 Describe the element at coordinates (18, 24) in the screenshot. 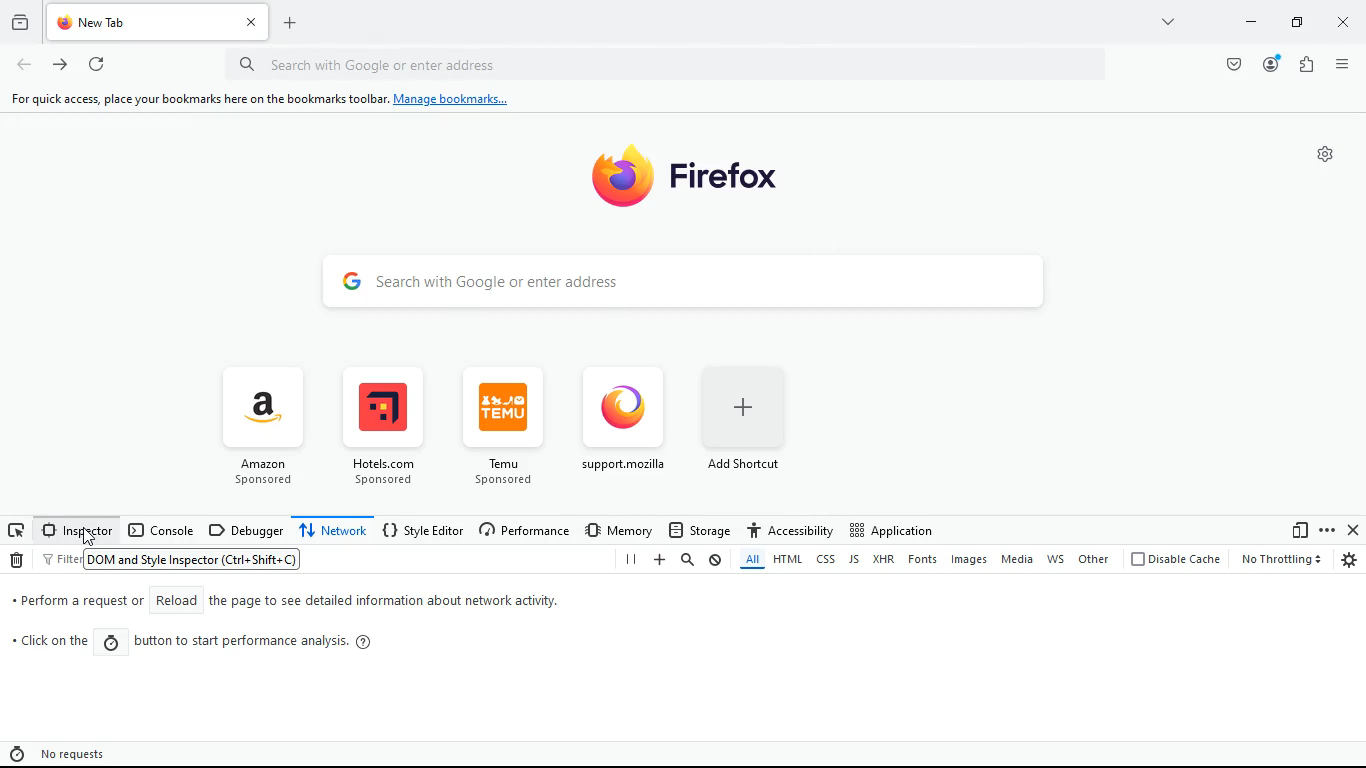

I see `archive` at that location.